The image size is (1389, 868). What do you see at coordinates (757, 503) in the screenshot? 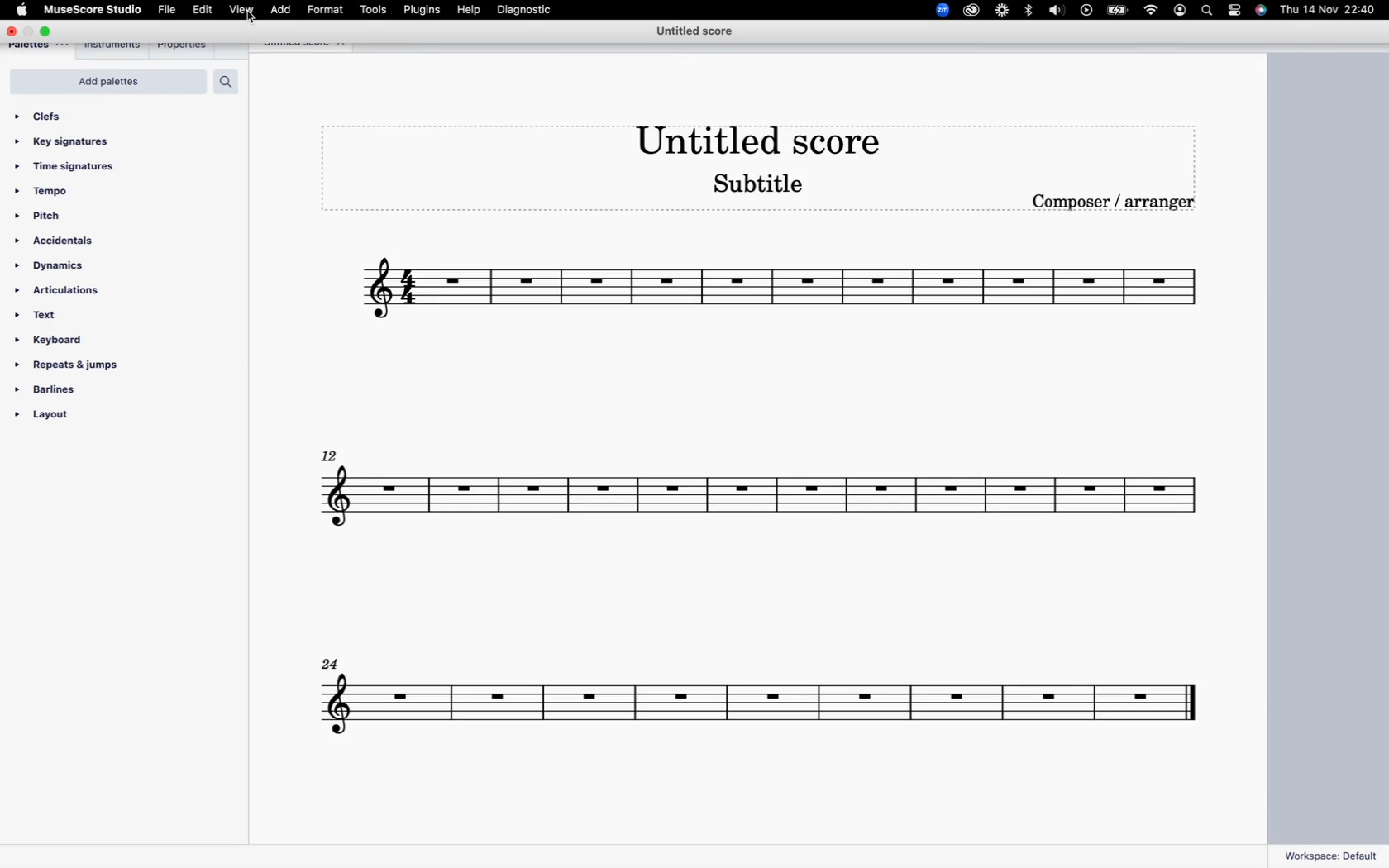
I see `score` at bounding box center [757, 503].